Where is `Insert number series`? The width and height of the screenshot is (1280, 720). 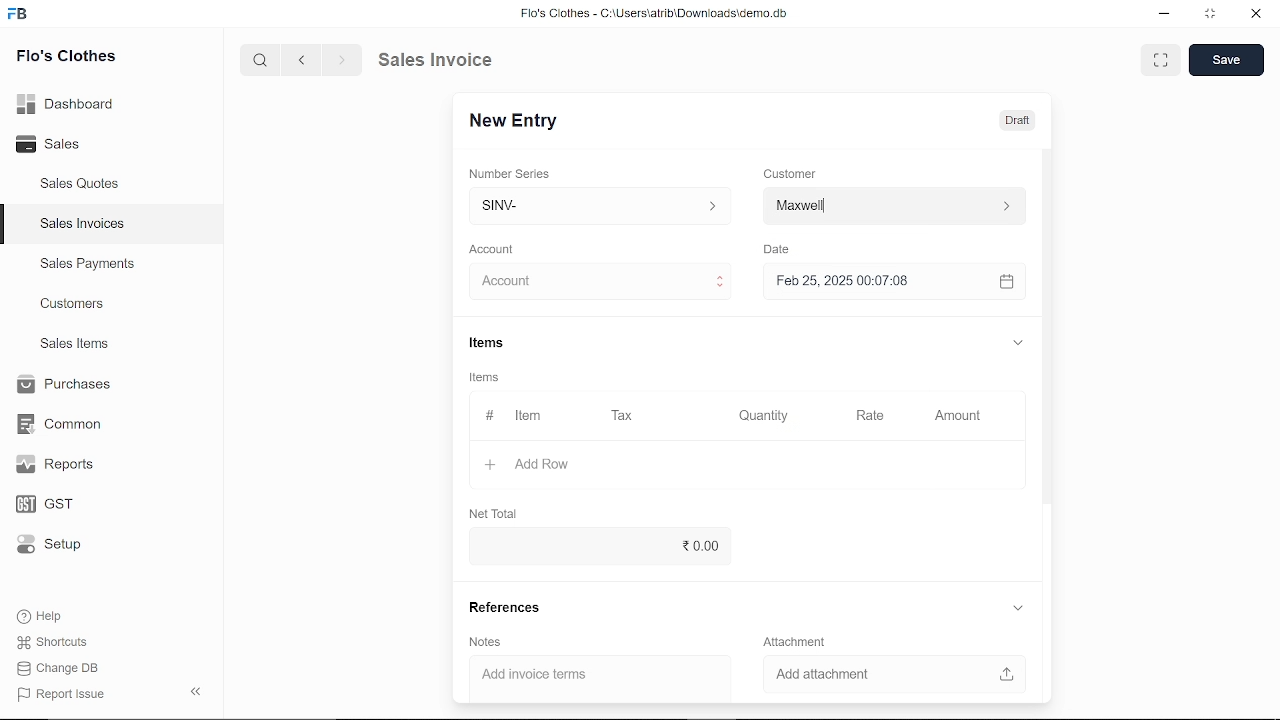
Insert number series is located at coordinates (601, 203).